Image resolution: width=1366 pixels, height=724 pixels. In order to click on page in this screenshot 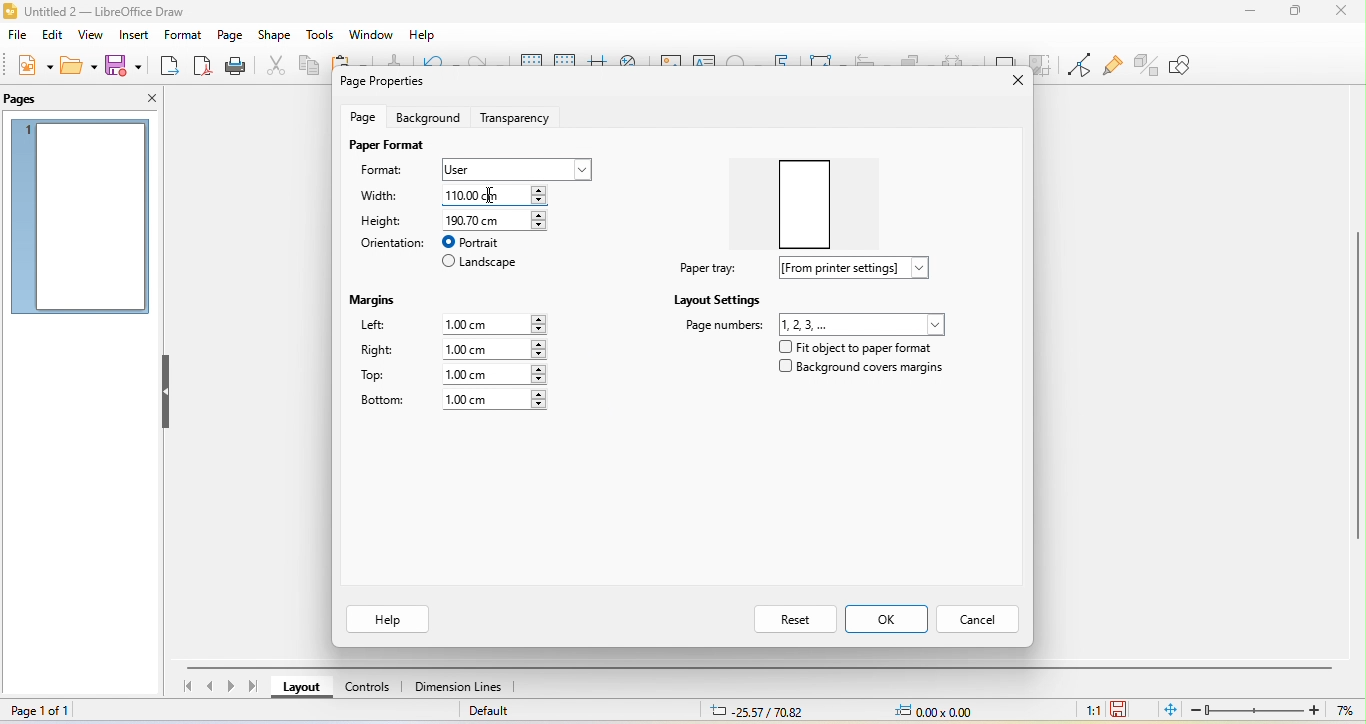, I will do `click(229, 35)`.